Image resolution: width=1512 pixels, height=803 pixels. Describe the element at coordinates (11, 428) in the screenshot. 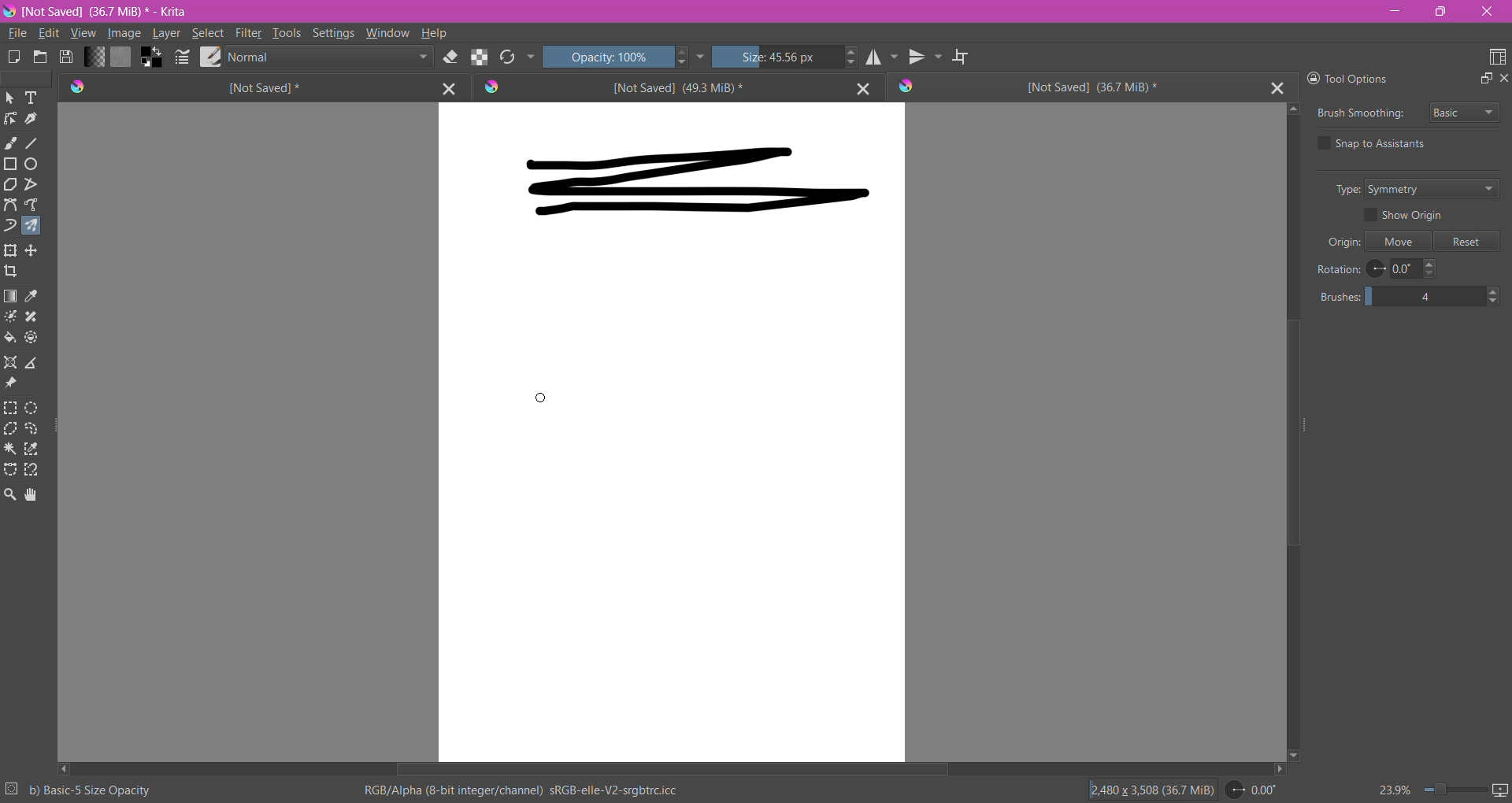

I see `Polygonal Selection Tool` at that location.